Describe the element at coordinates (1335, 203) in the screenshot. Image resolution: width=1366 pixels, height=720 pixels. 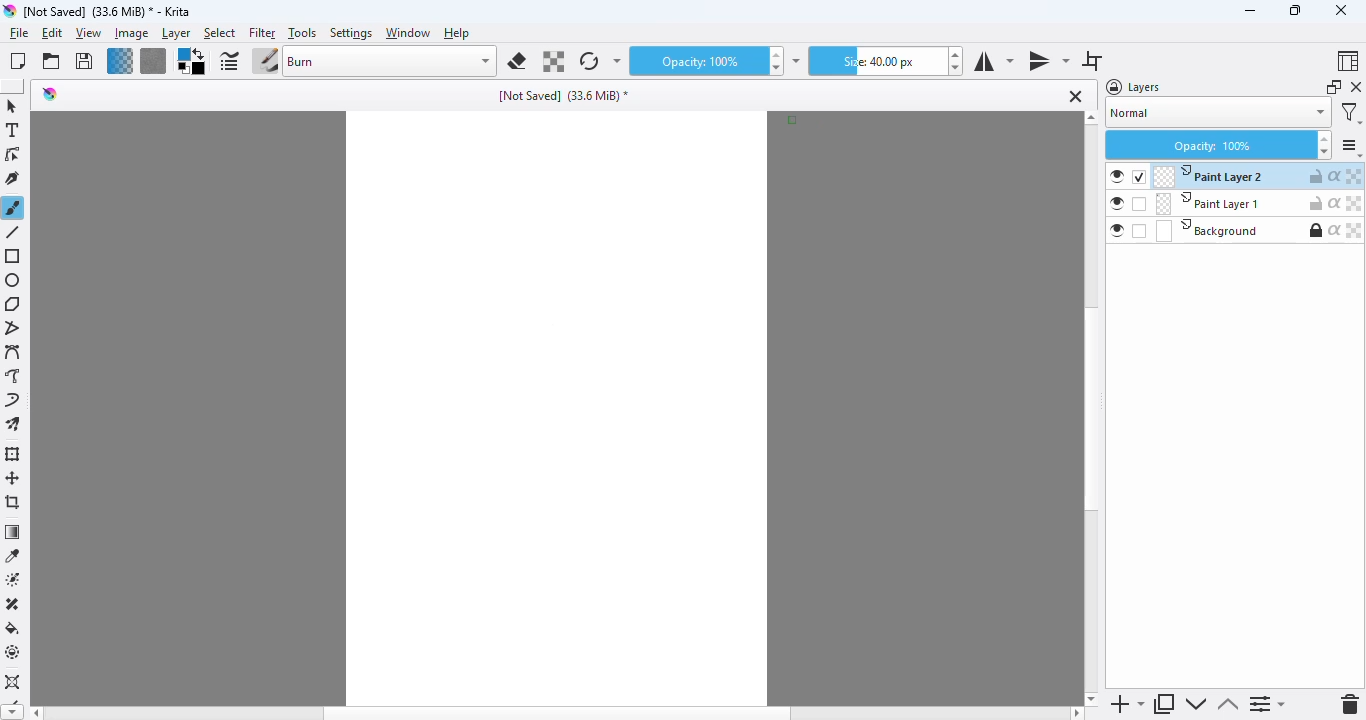
I see `inherit alpha: no` at that location.